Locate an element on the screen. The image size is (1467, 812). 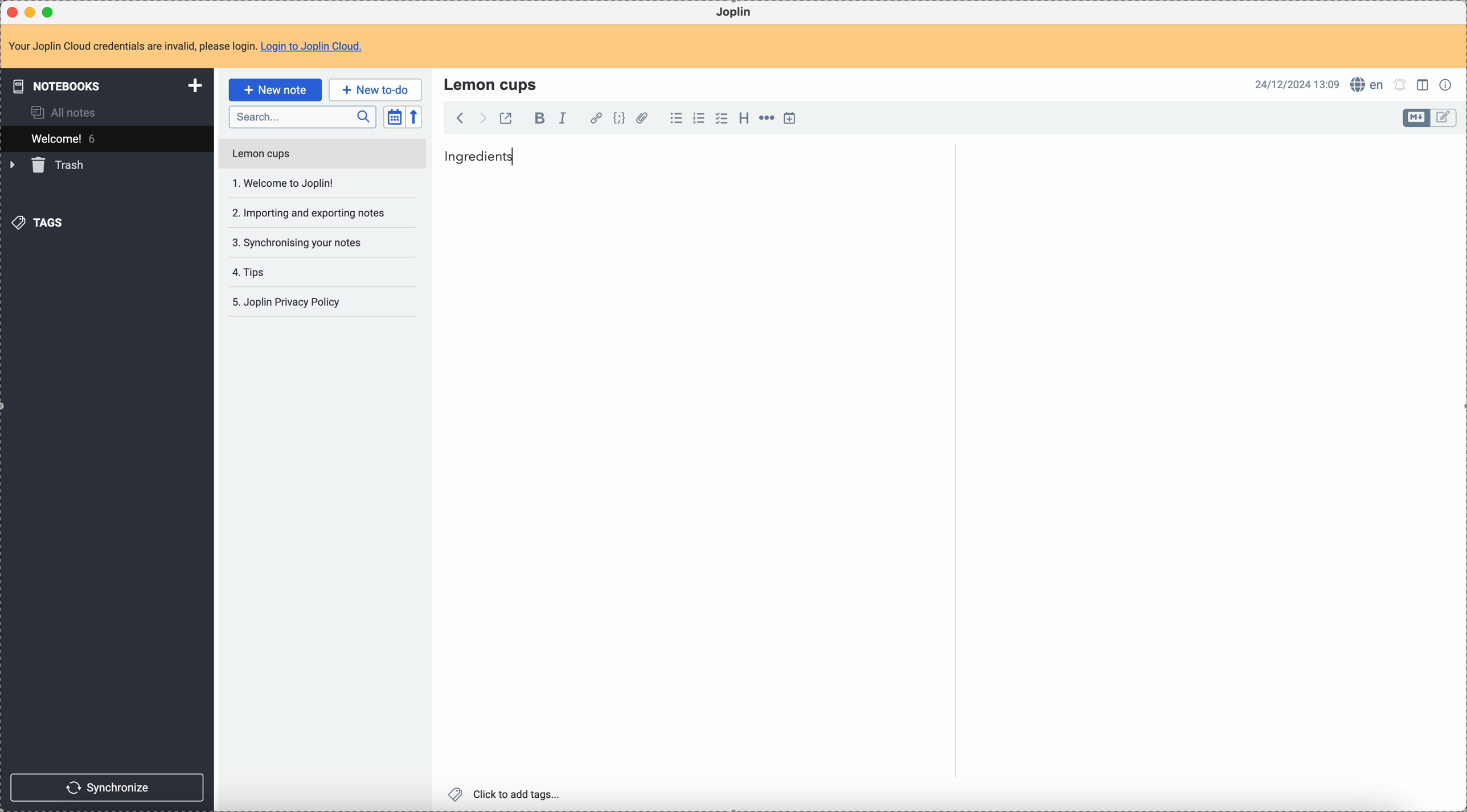
toggle external editing is located at coordinates (505, 120).